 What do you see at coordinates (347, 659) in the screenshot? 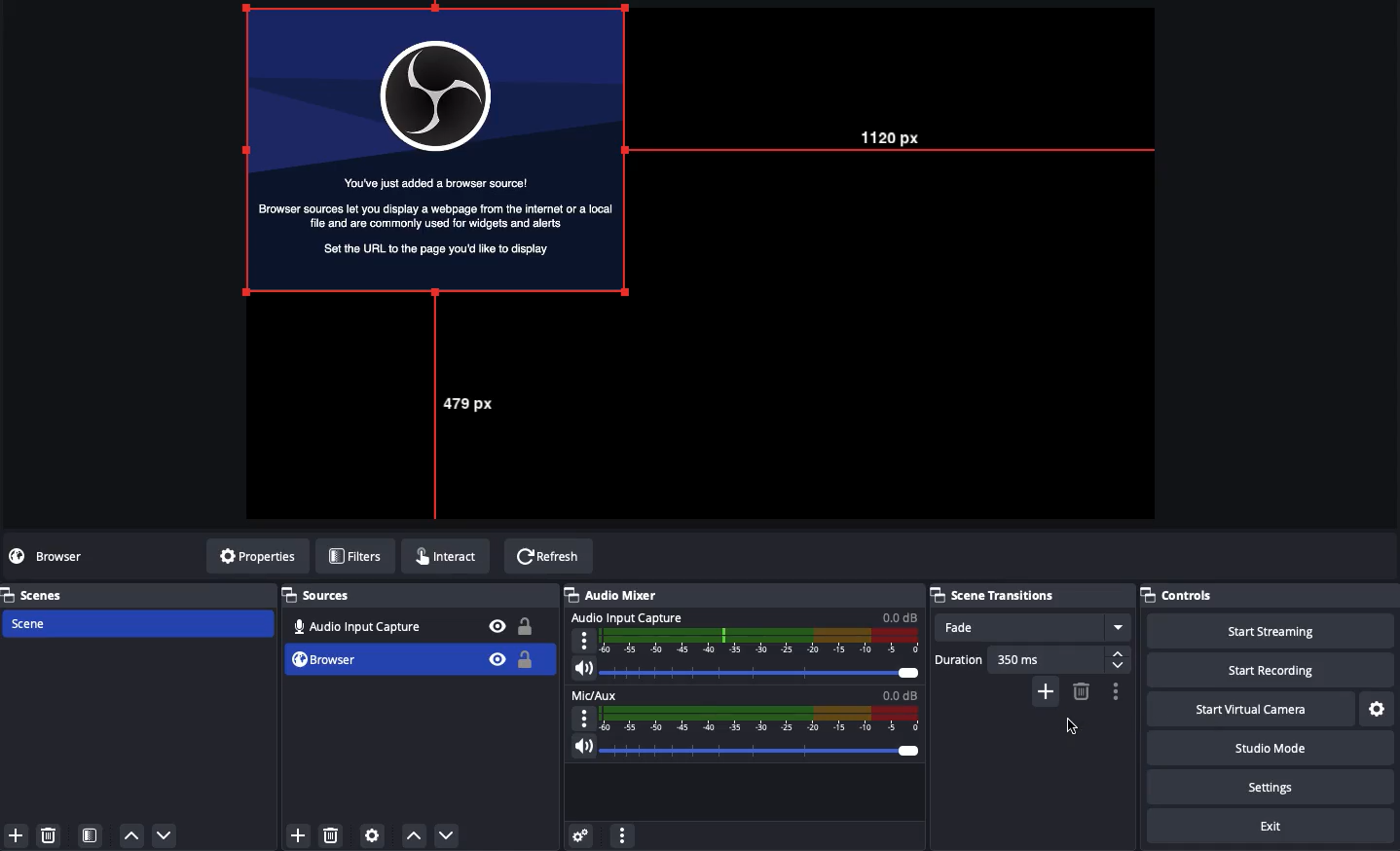
I see `Browser` at bounding box center [347, 659].